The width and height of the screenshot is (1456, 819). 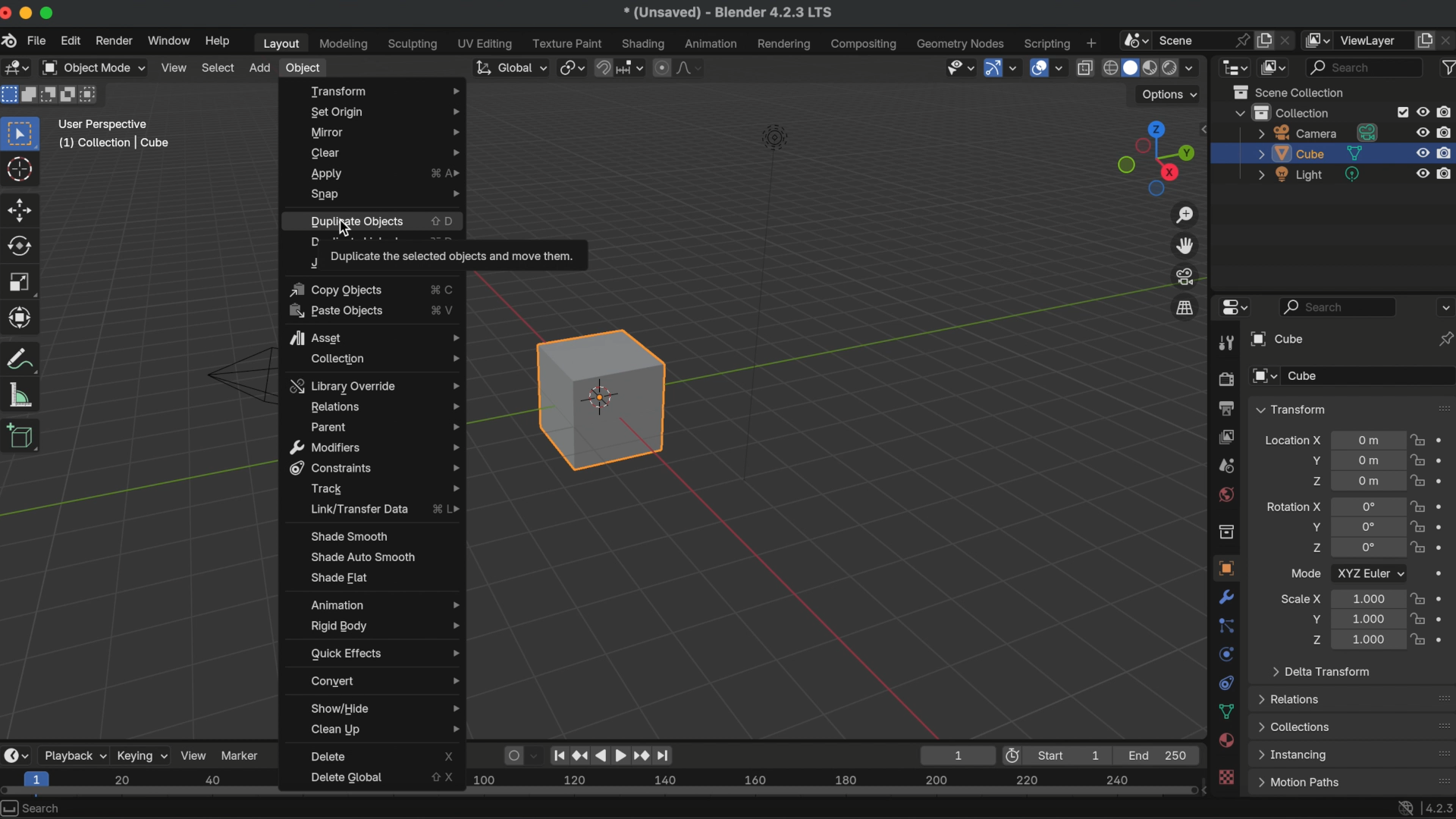 I want to click on * (Unsaved) - Blender 4.2.3 LTS, so click(x=727, y=14).